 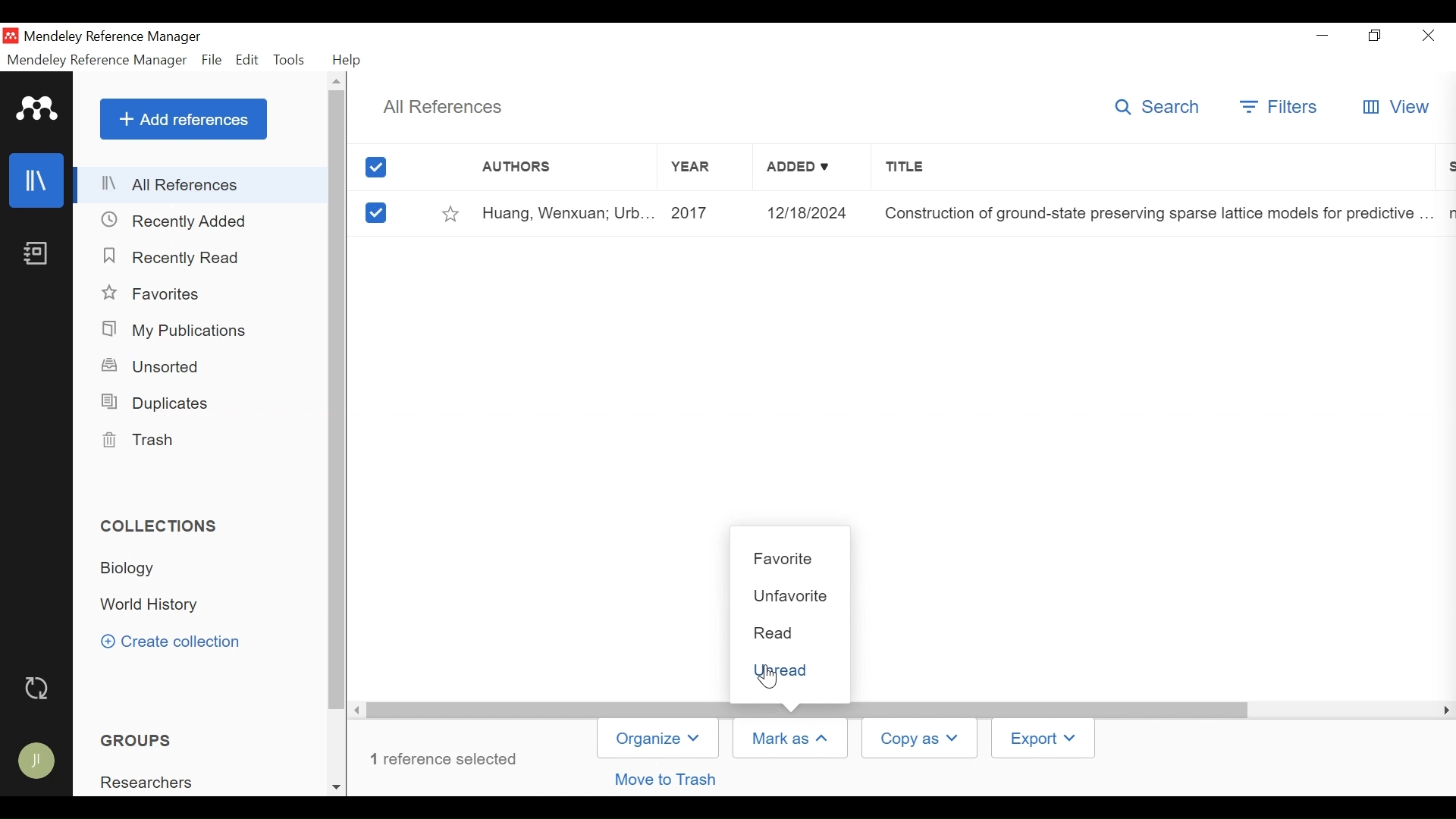 I want to click on Unsorted, so click(x=158, y=366).